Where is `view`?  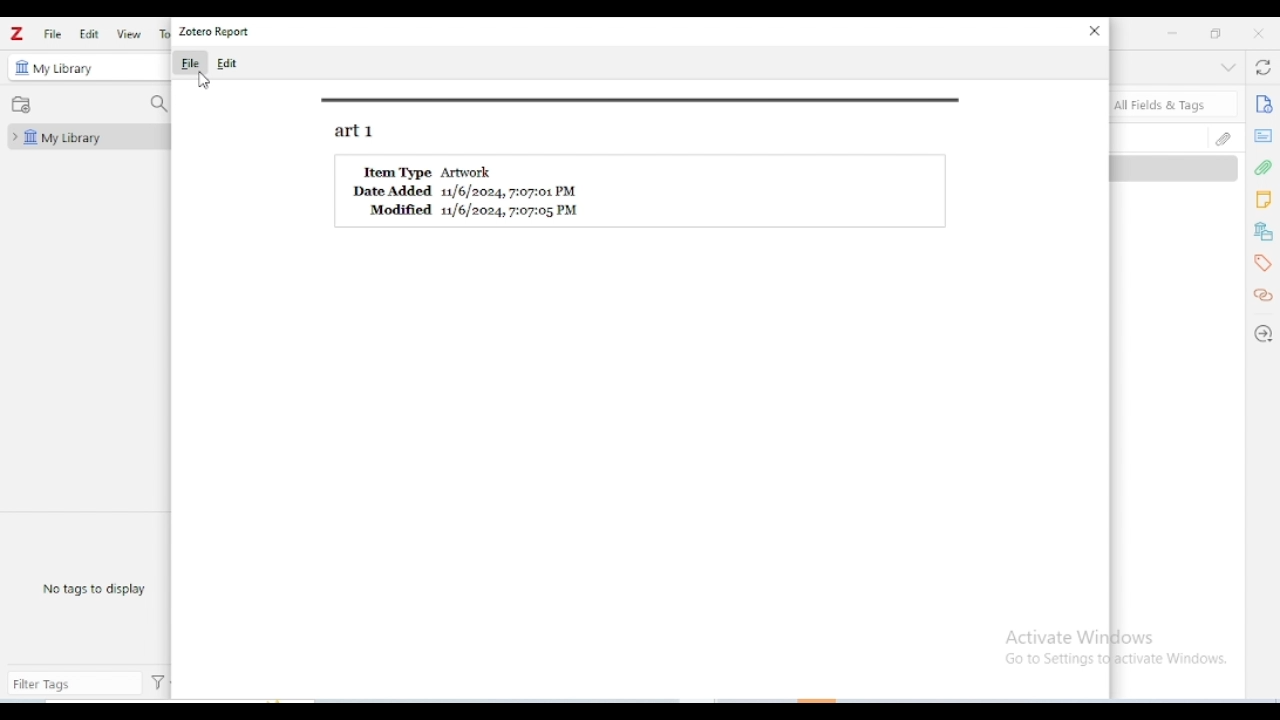
view is located at coordinates (128, 34).